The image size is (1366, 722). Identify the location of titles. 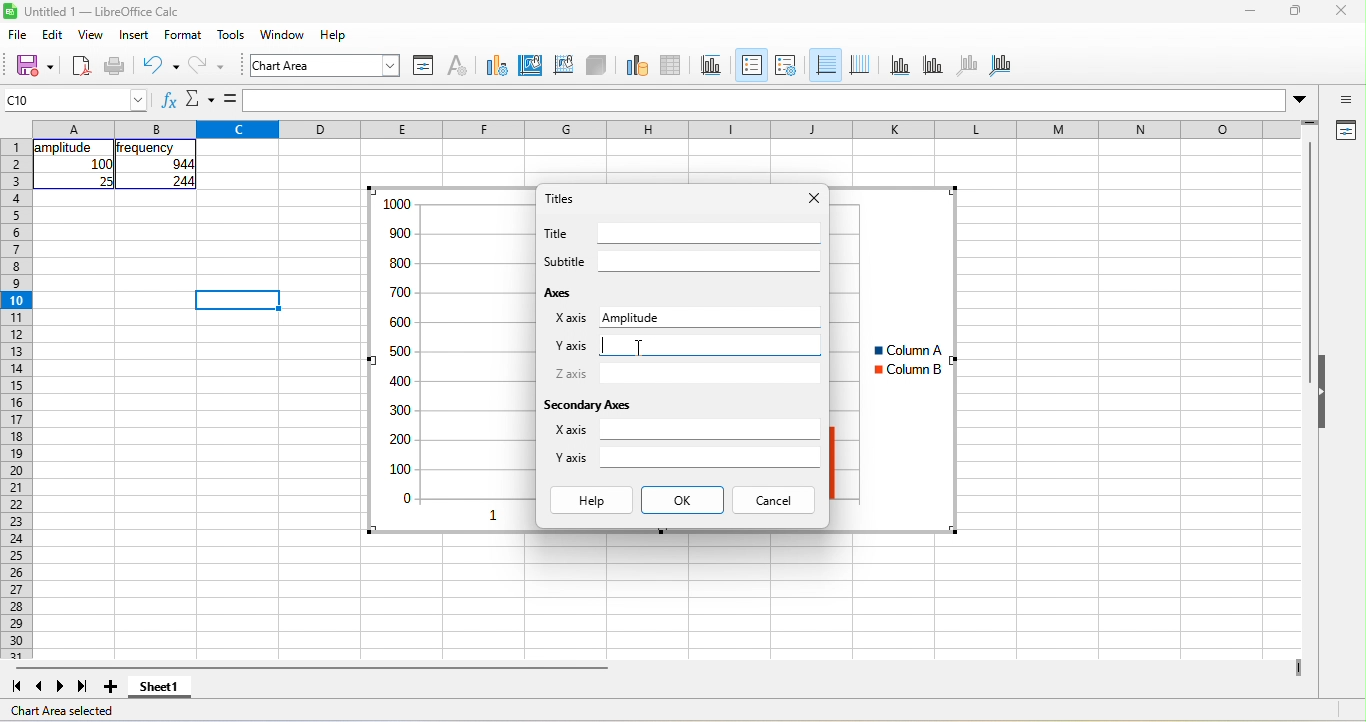
(712, 66).